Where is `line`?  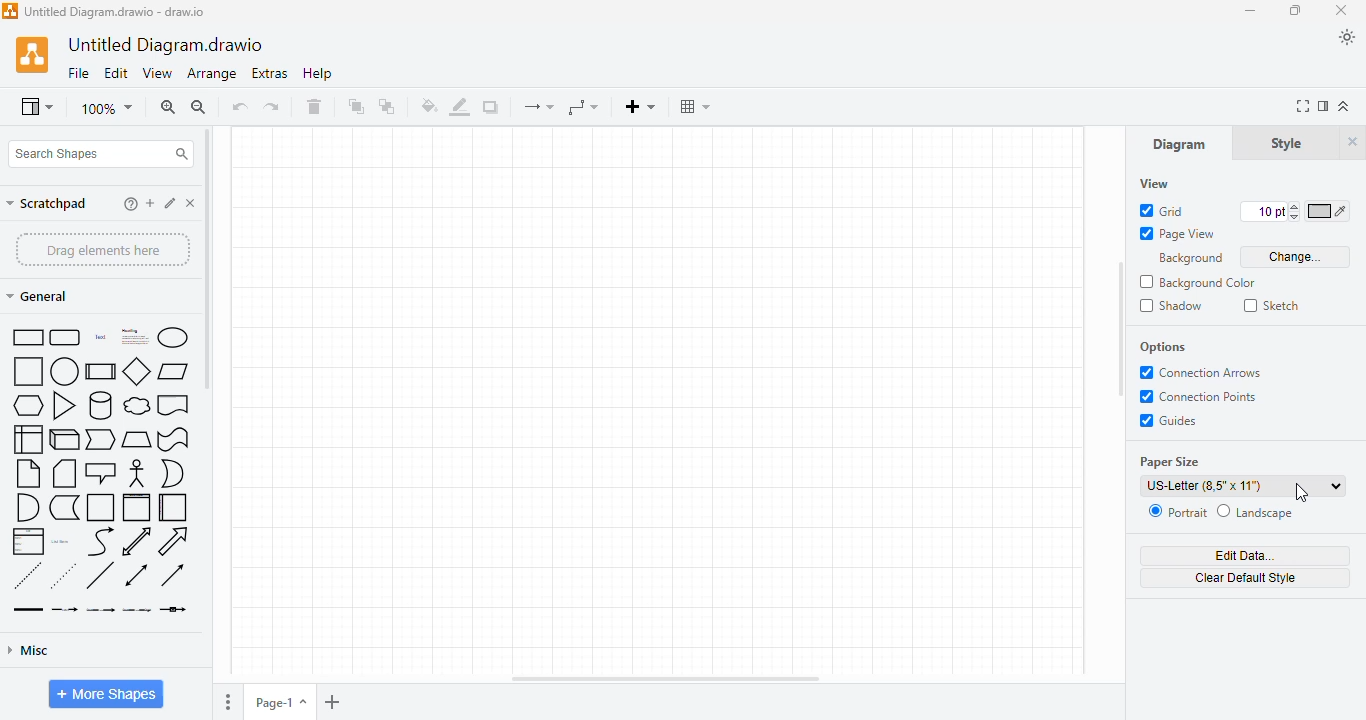
line is located at coordinates (100, 575).